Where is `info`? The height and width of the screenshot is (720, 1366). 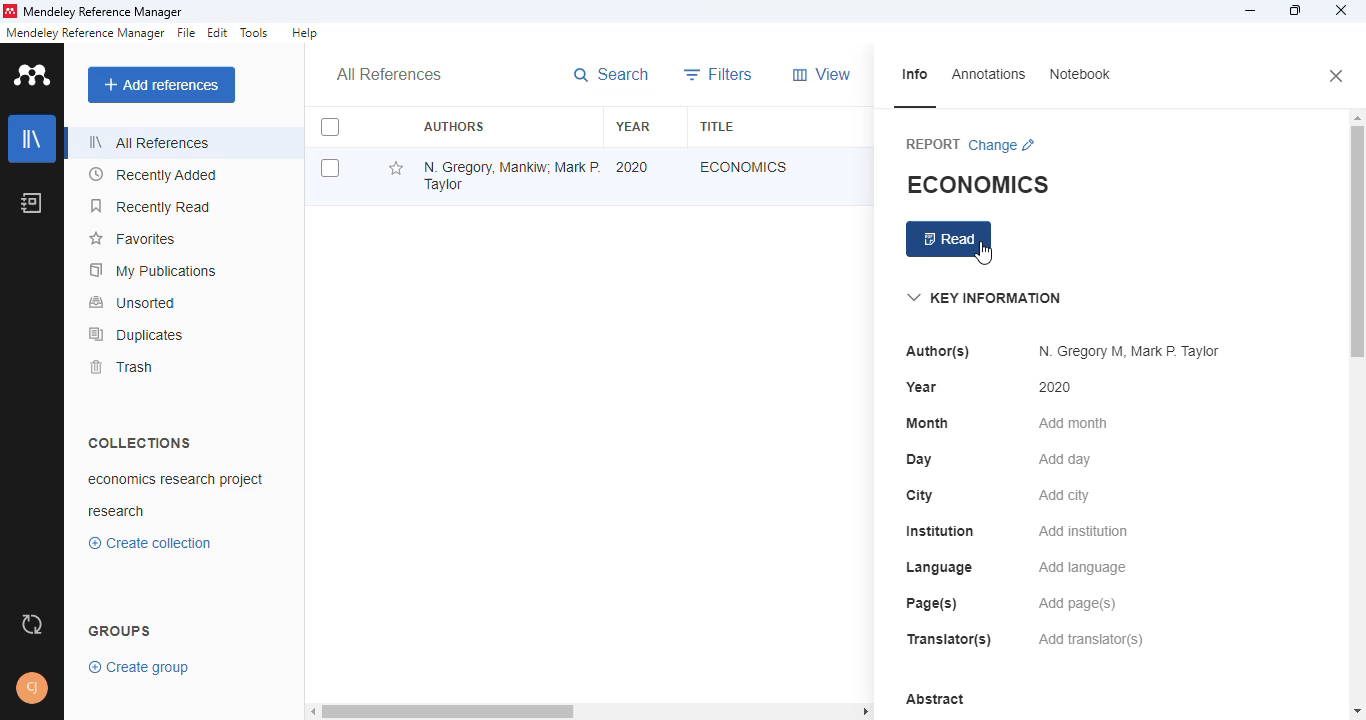 info is located at coordinates (914, 75).